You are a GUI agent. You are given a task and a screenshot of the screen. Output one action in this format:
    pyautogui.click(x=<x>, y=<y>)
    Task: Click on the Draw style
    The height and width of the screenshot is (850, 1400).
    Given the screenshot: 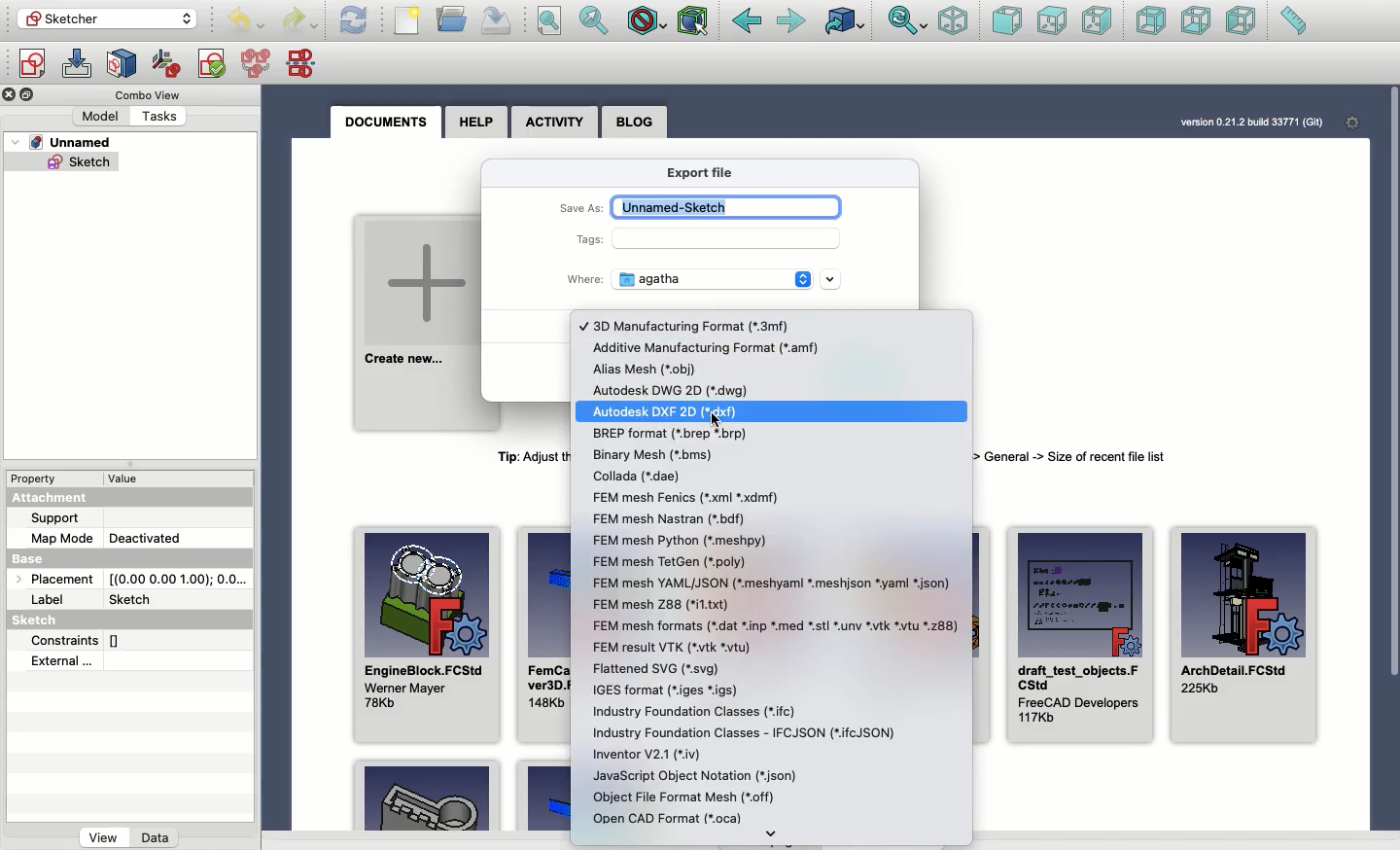 What is the action you would take?
    pyautogui.click(x=648, y=20)
    